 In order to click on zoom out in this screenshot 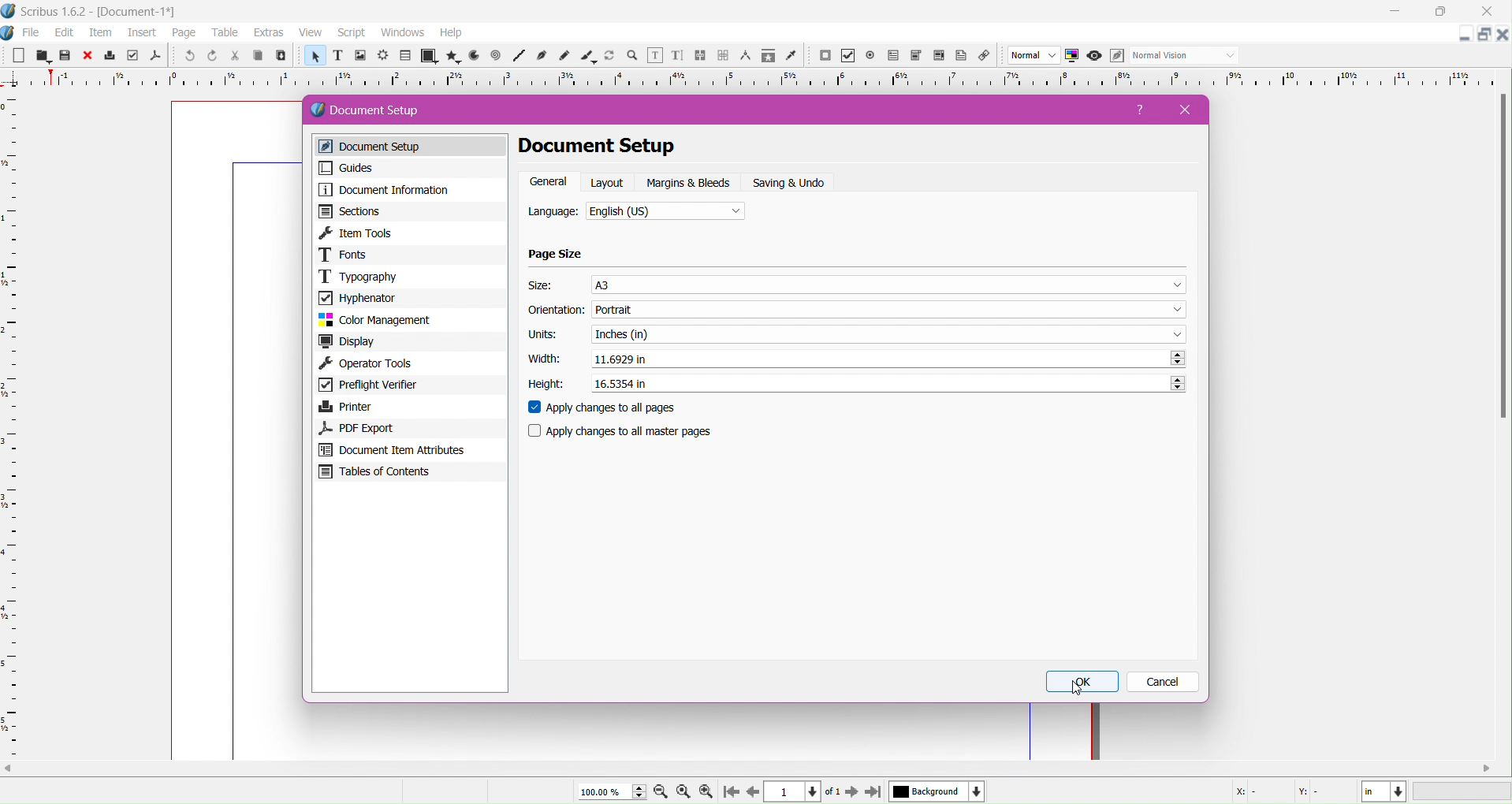, I will do `click(662, 793)`.